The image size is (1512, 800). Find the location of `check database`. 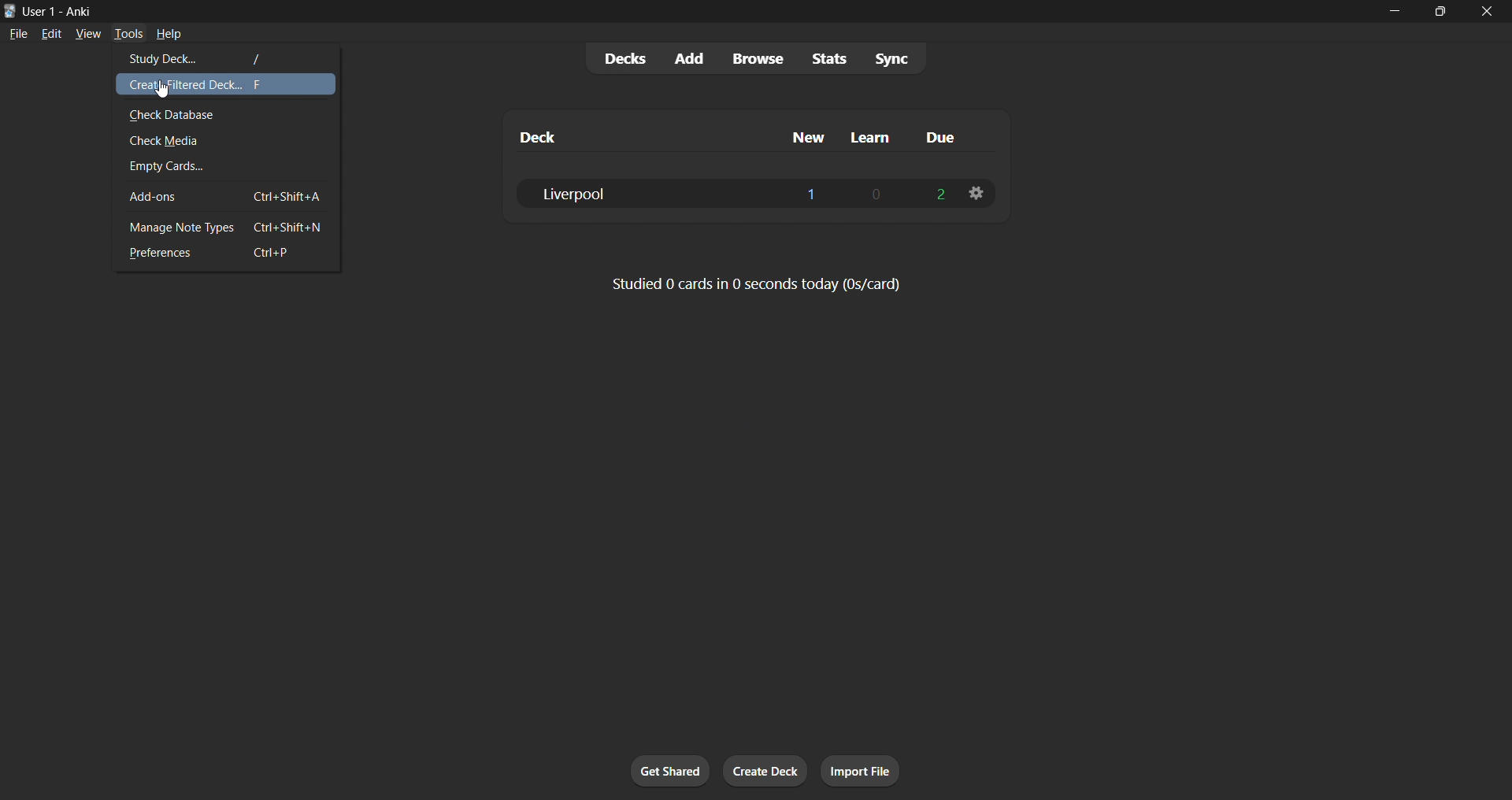

check database is located at coordinates (227, 113).